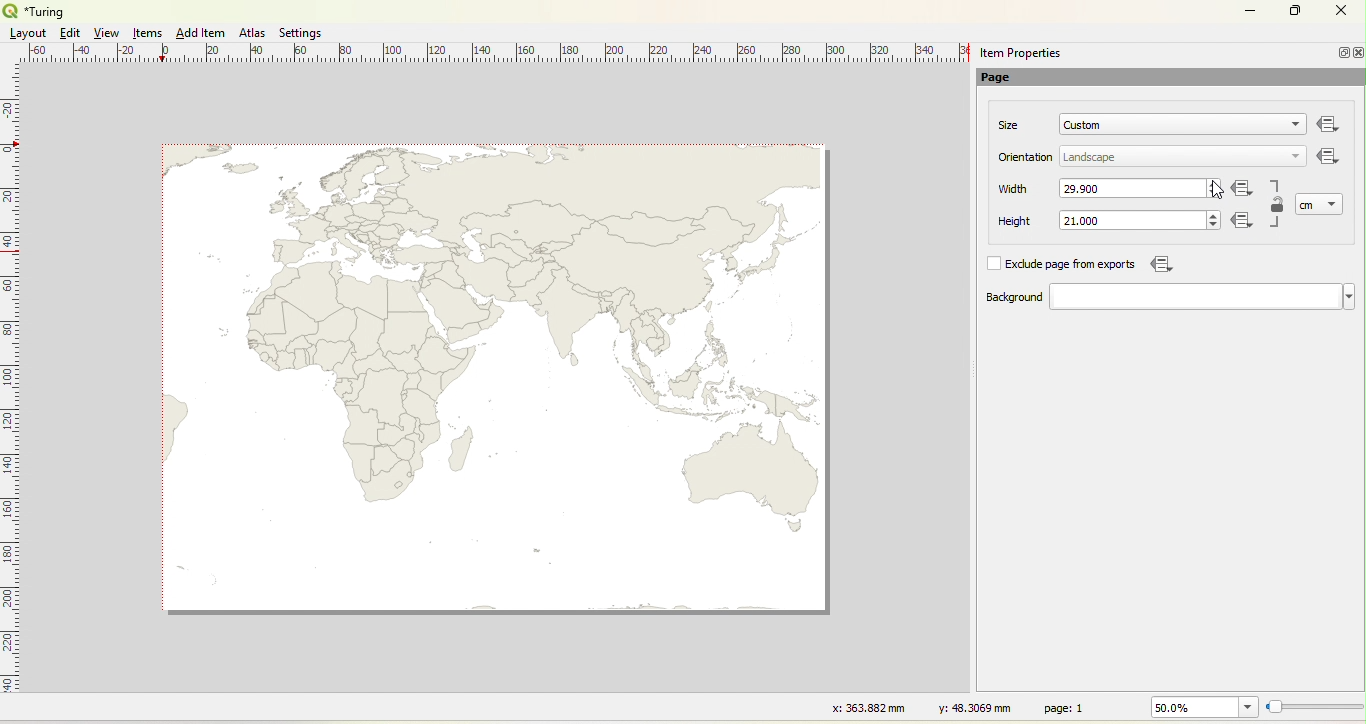 This screenshot has width=1366, height=724. I want to click on Minimize, so click(1250, 9).